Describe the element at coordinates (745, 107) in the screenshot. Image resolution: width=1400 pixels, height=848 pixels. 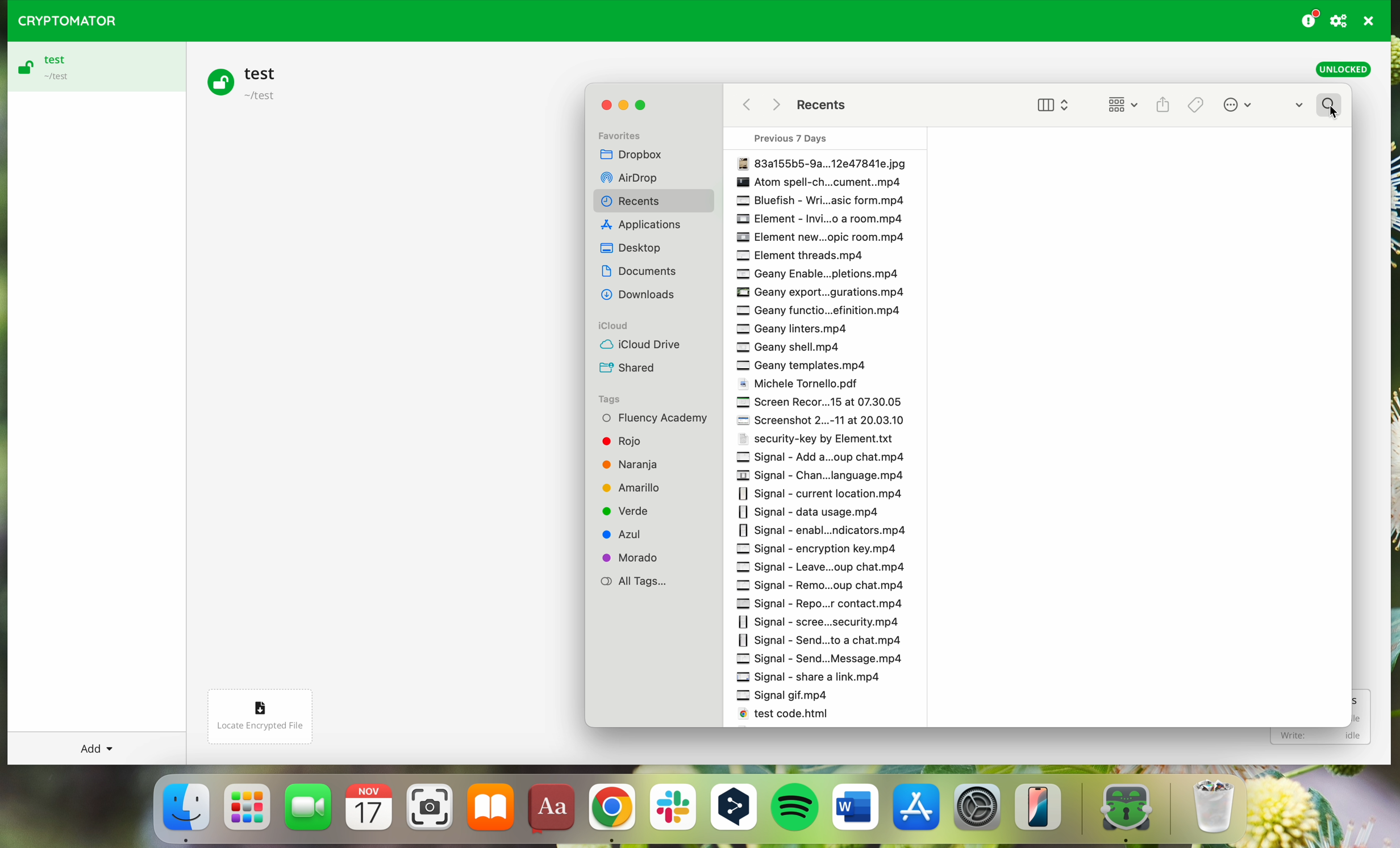
I see `back` at that location.